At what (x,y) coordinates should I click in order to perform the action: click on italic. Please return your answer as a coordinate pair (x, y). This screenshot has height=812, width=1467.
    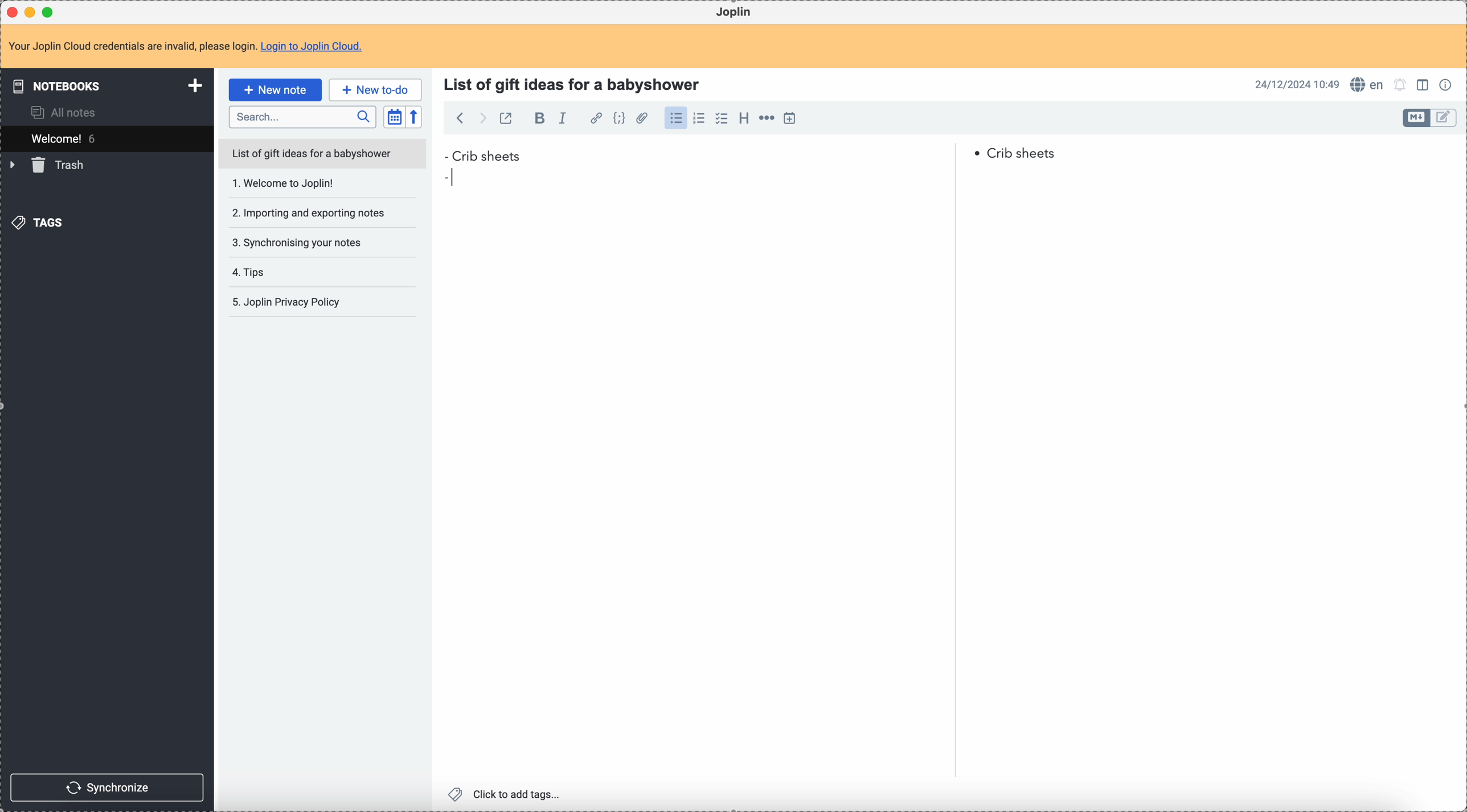
    Looking at the image, I should click on (564, 119).